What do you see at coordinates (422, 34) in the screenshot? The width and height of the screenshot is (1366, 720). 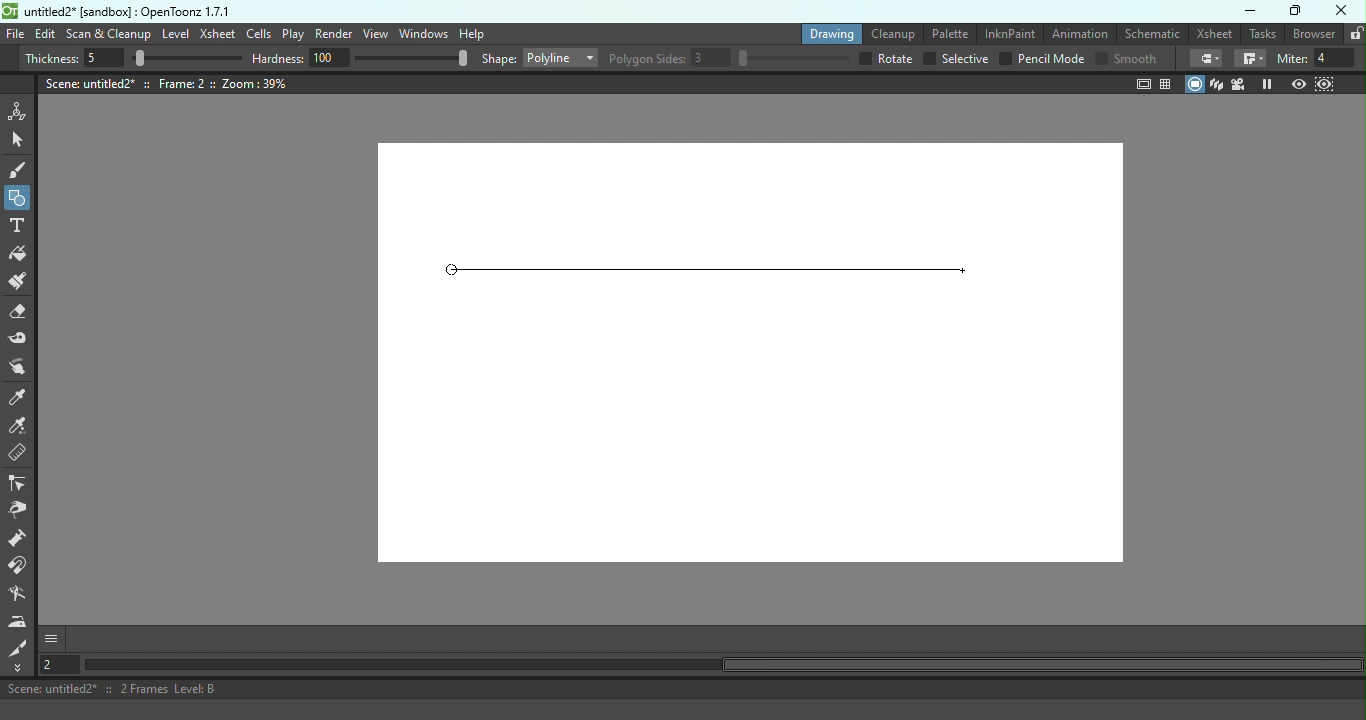 I see `Windows` at bounding box center [422, 34].